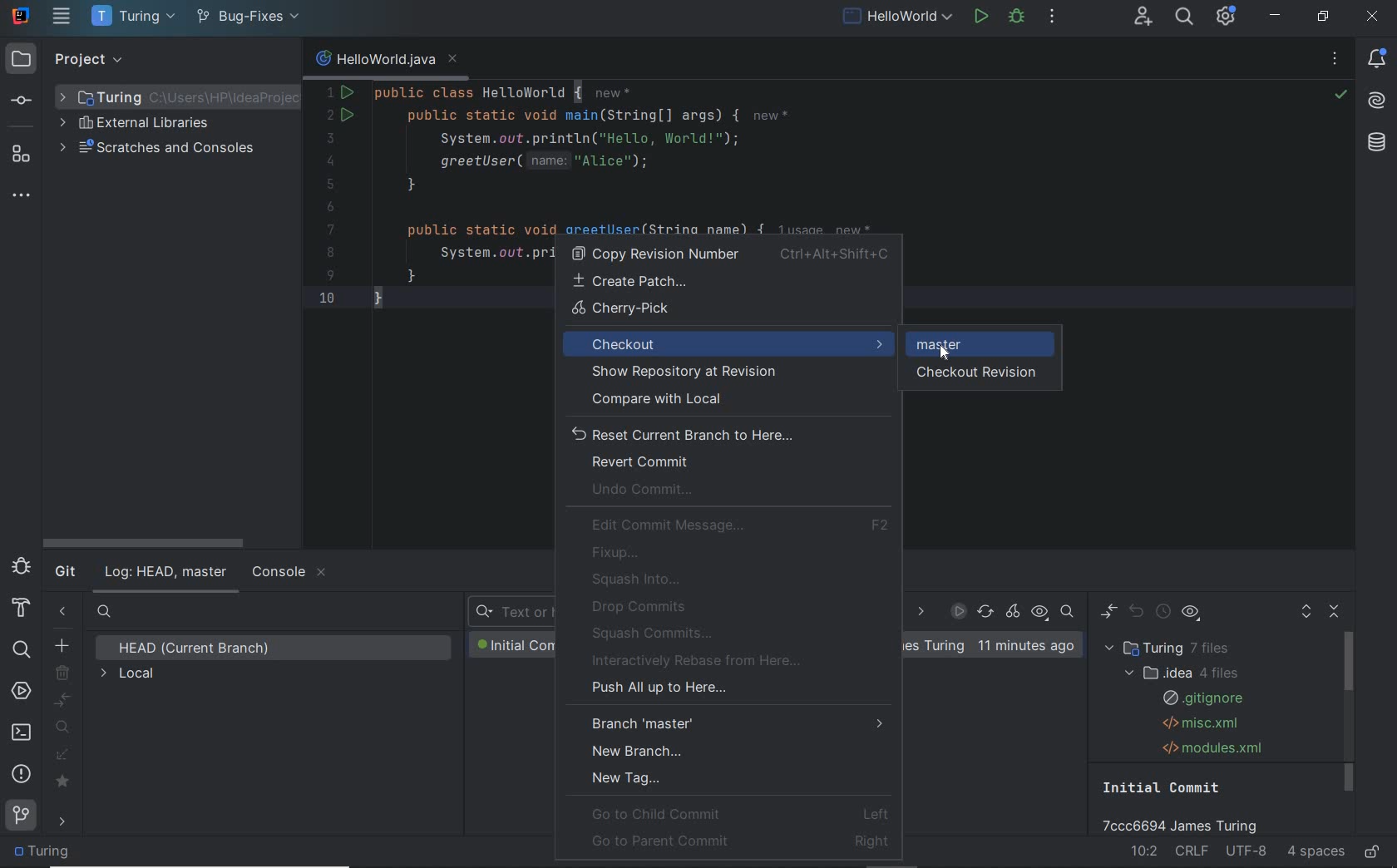 This screenshot has width=1397, height=868. I want to click on 5, so click(330, 184).